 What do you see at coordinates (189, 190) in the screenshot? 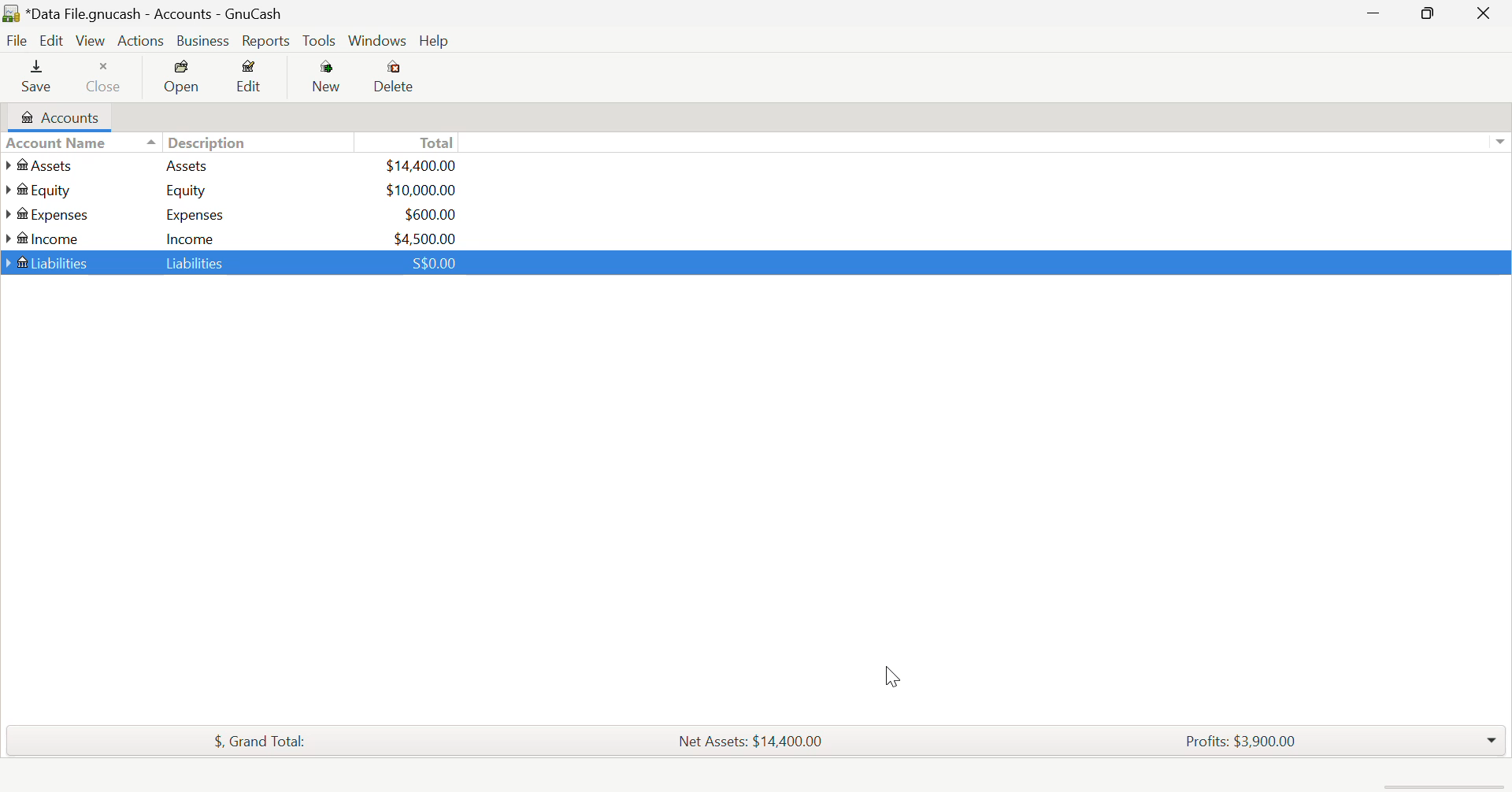
I see `Equity` at bounding box center [189, 190].